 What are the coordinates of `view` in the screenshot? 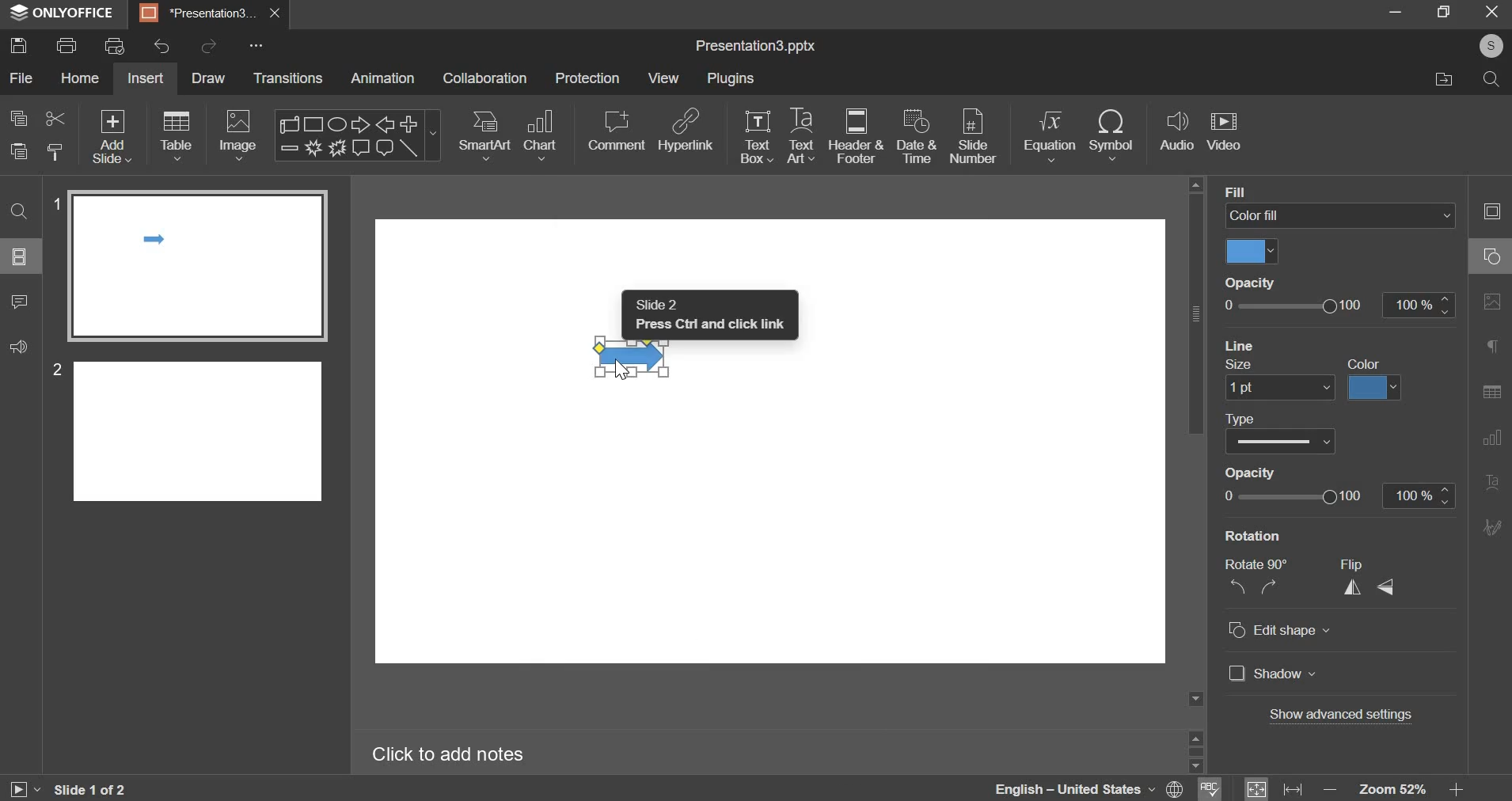 It's located at (663, 79).